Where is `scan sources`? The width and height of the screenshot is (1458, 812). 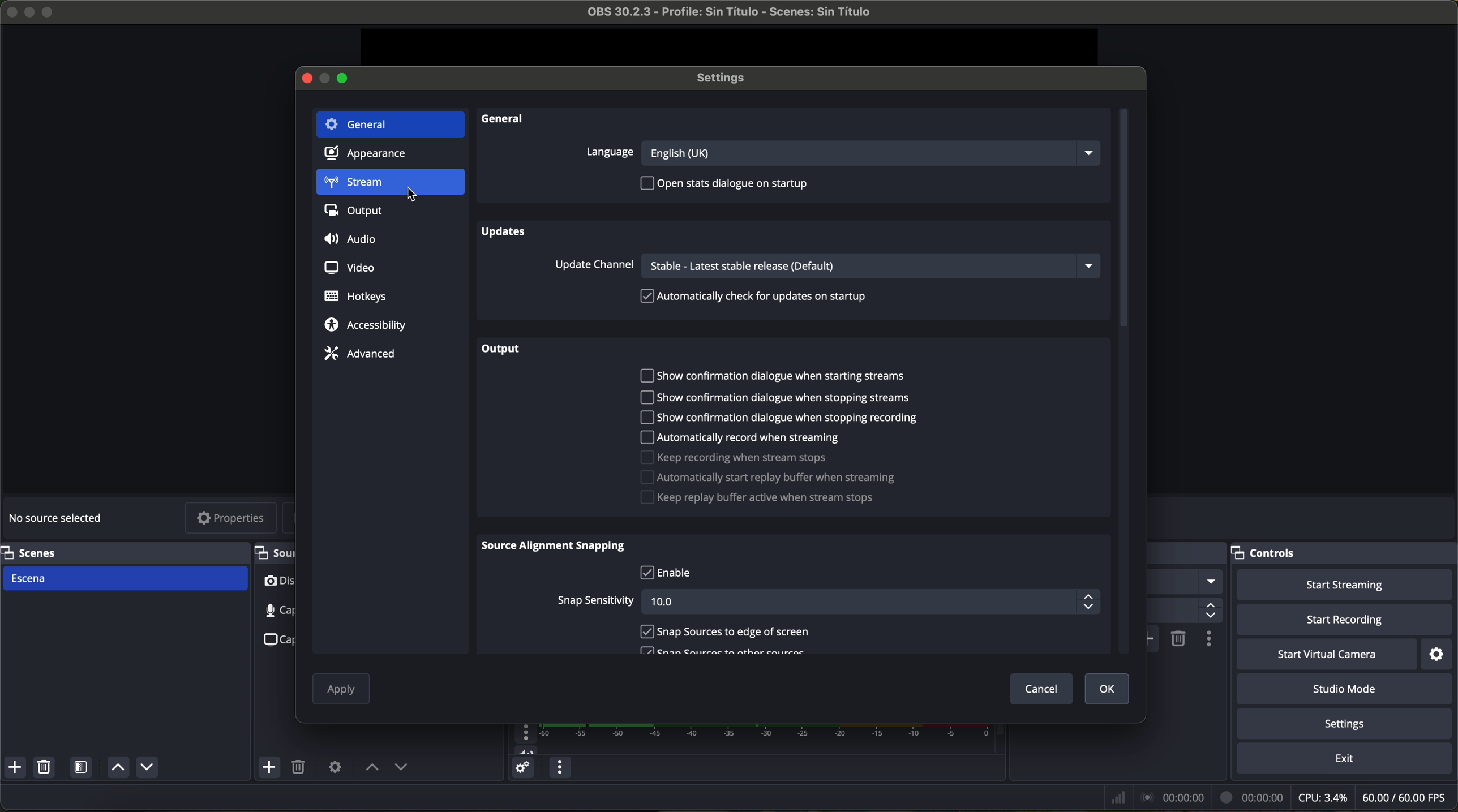
scan sources is located at coordinates (729, 651).